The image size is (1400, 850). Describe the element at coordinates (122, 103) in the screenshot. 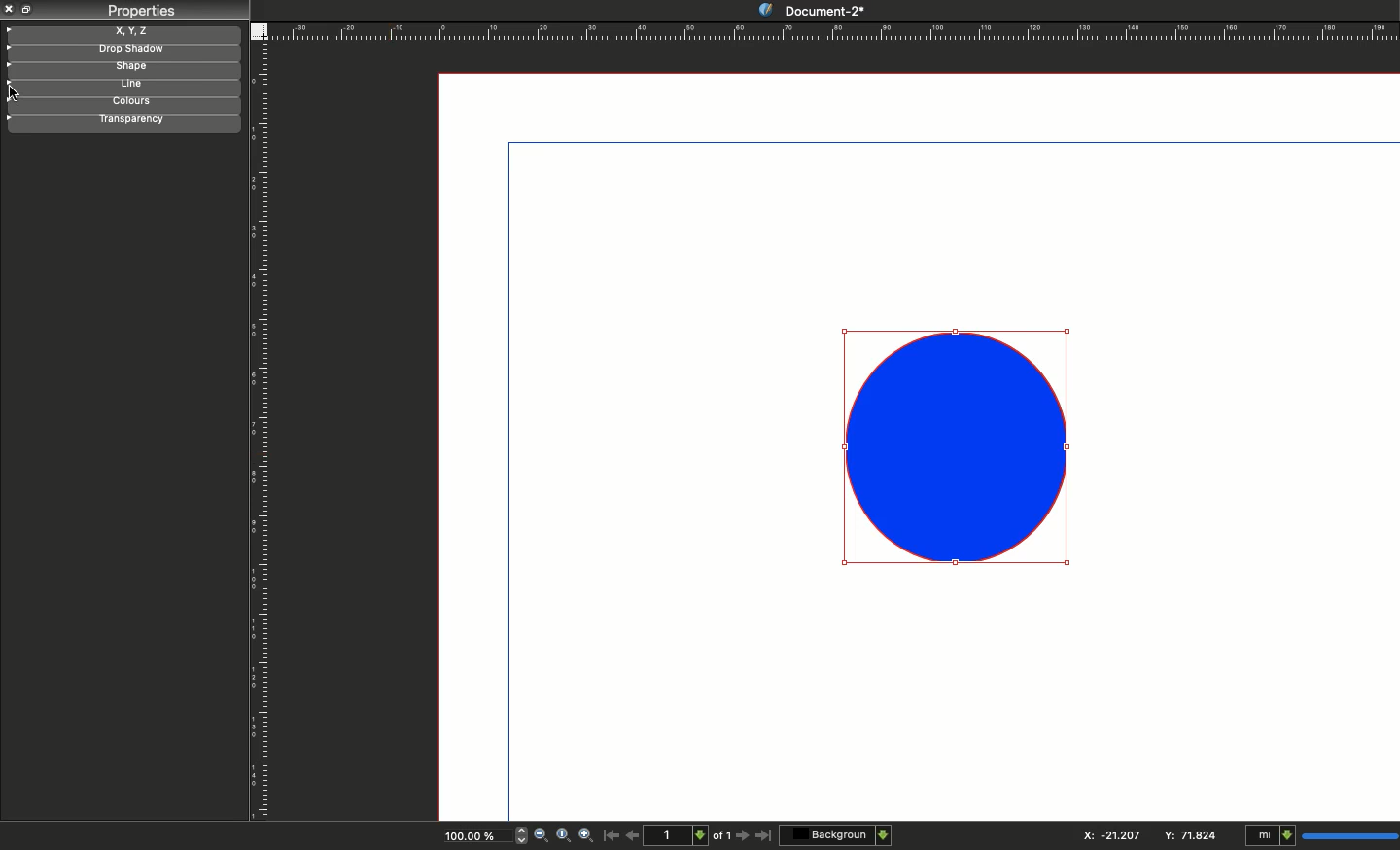

I see `Colors` at that location.